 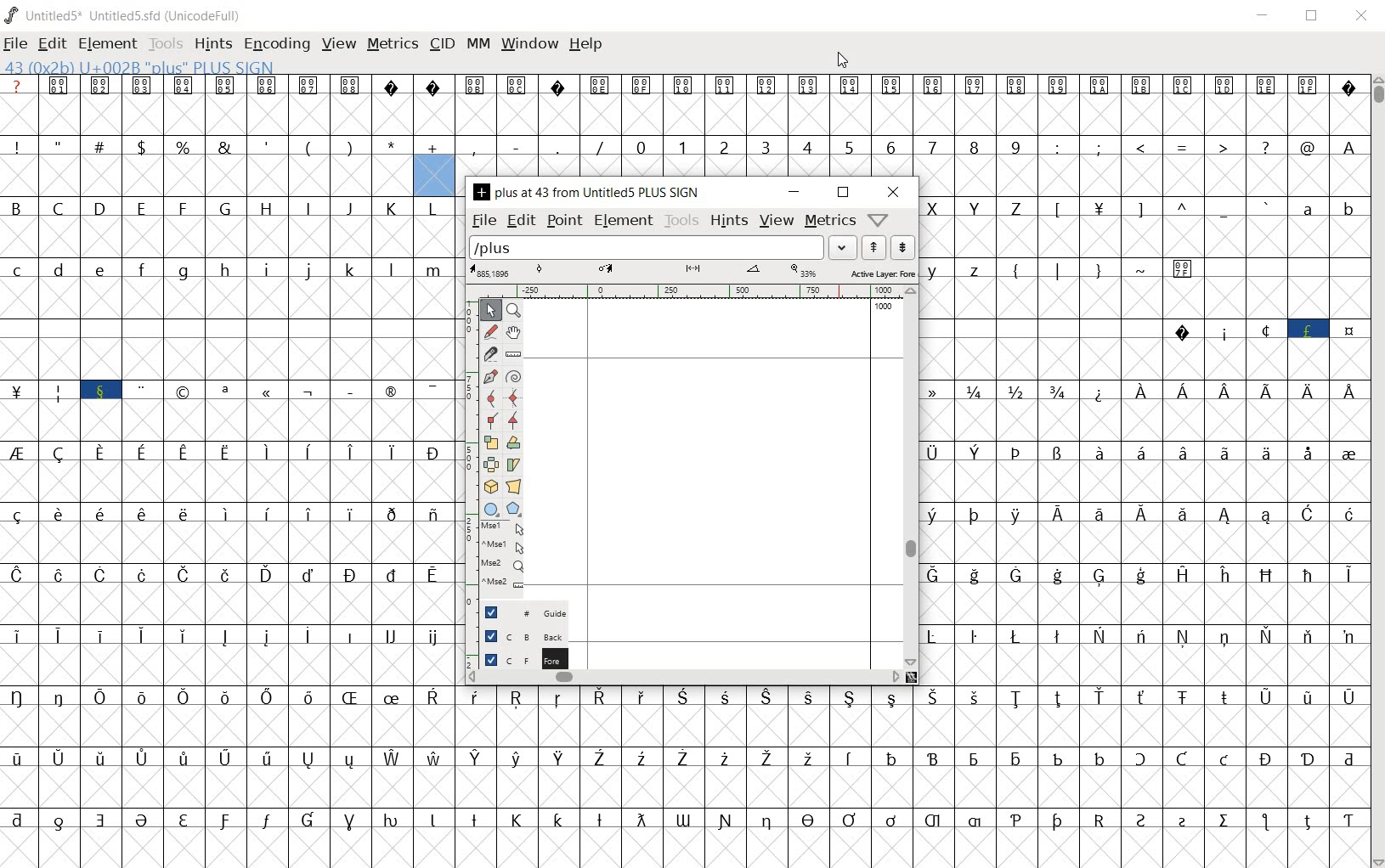 What do you see at coordinates (1016, 717) in the screenshot?
I see `` at bounding box center [1016, 717].